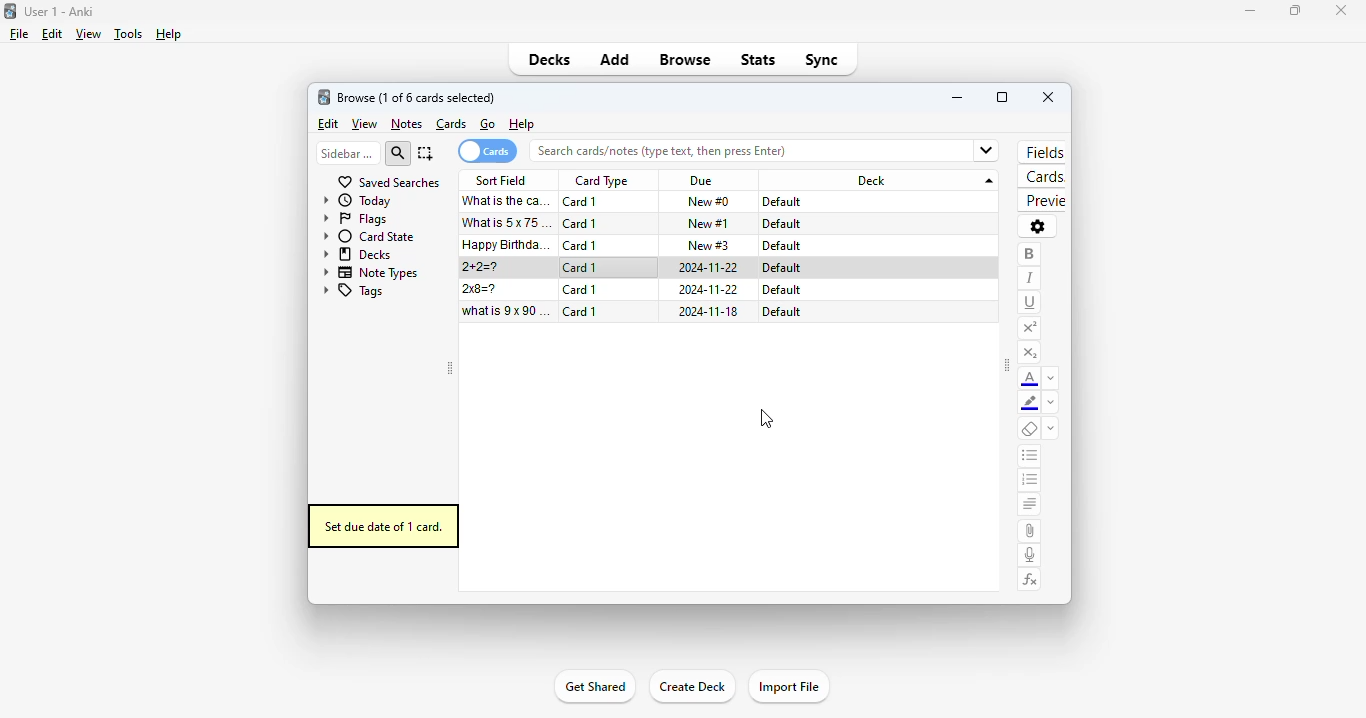  What do you see at coordinates (355, 220) in the screenshot?
I see `flags` at bounding box center [355, 220].